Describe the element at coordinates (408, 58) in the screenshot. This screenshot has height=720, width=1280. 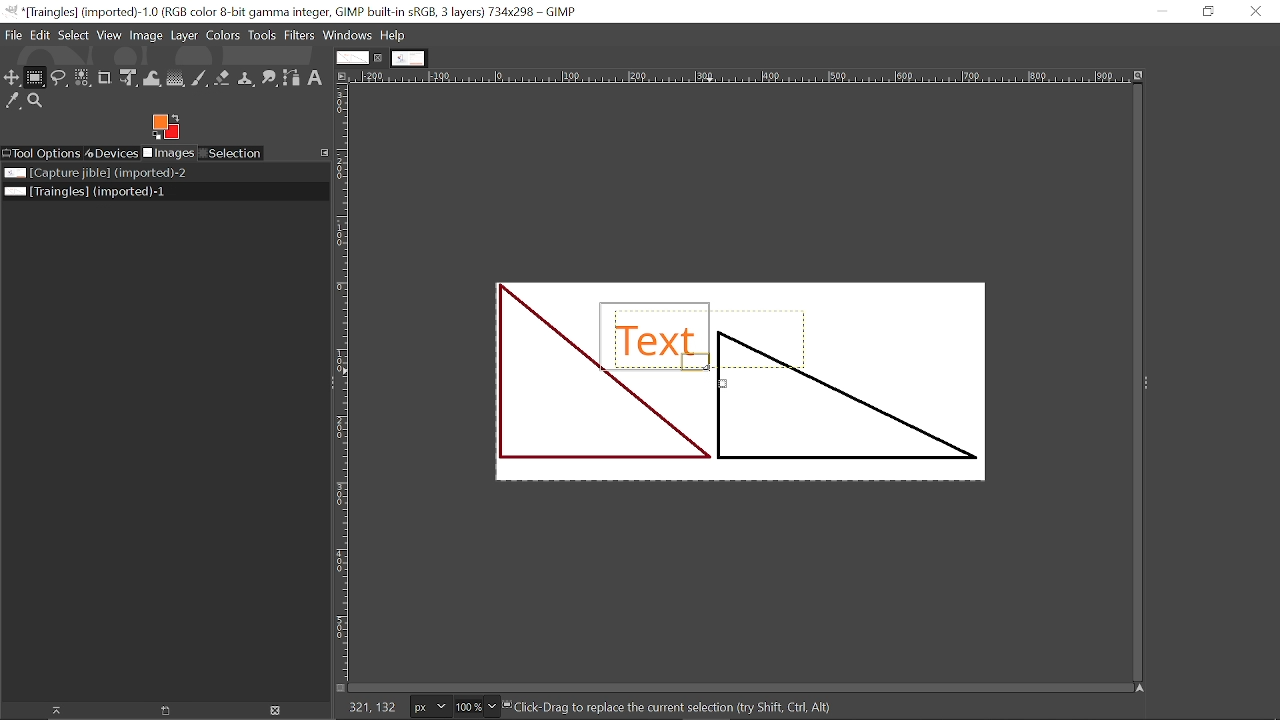
I see `Other tab` at that location.